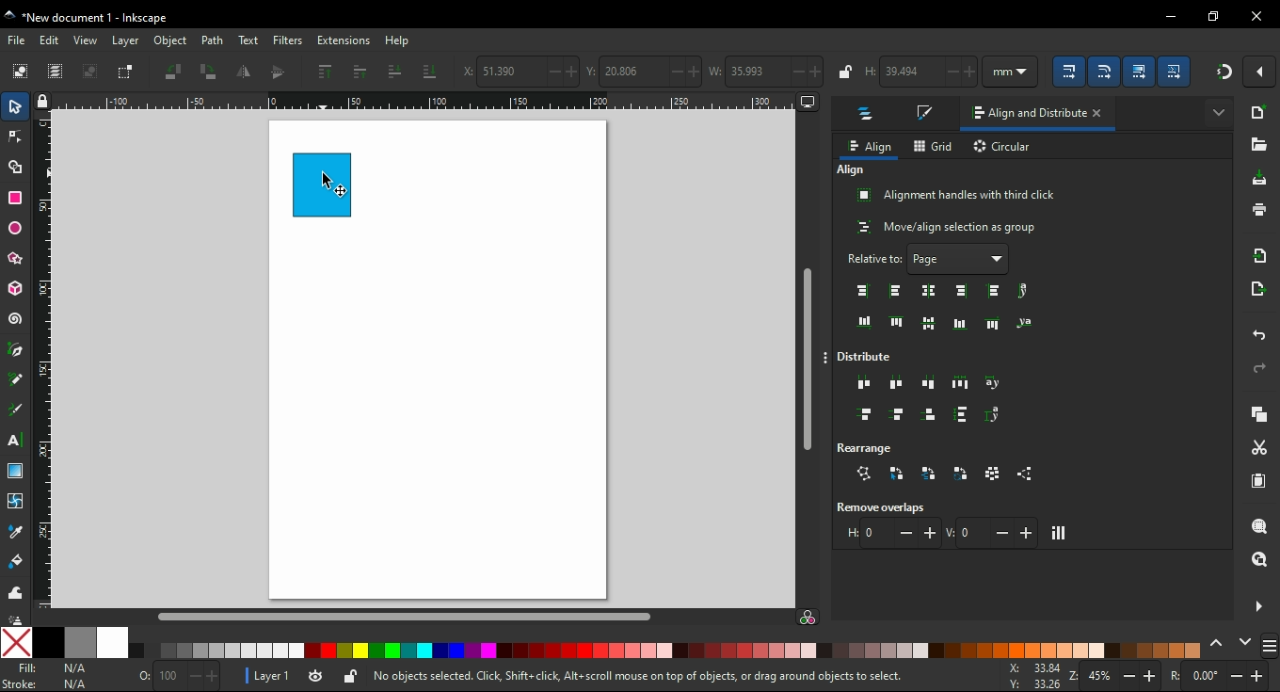  What do you see at coordinates (16, 225) in the screenshot?
I see `ellipse/arc tool` at bounding box center [16, 225].